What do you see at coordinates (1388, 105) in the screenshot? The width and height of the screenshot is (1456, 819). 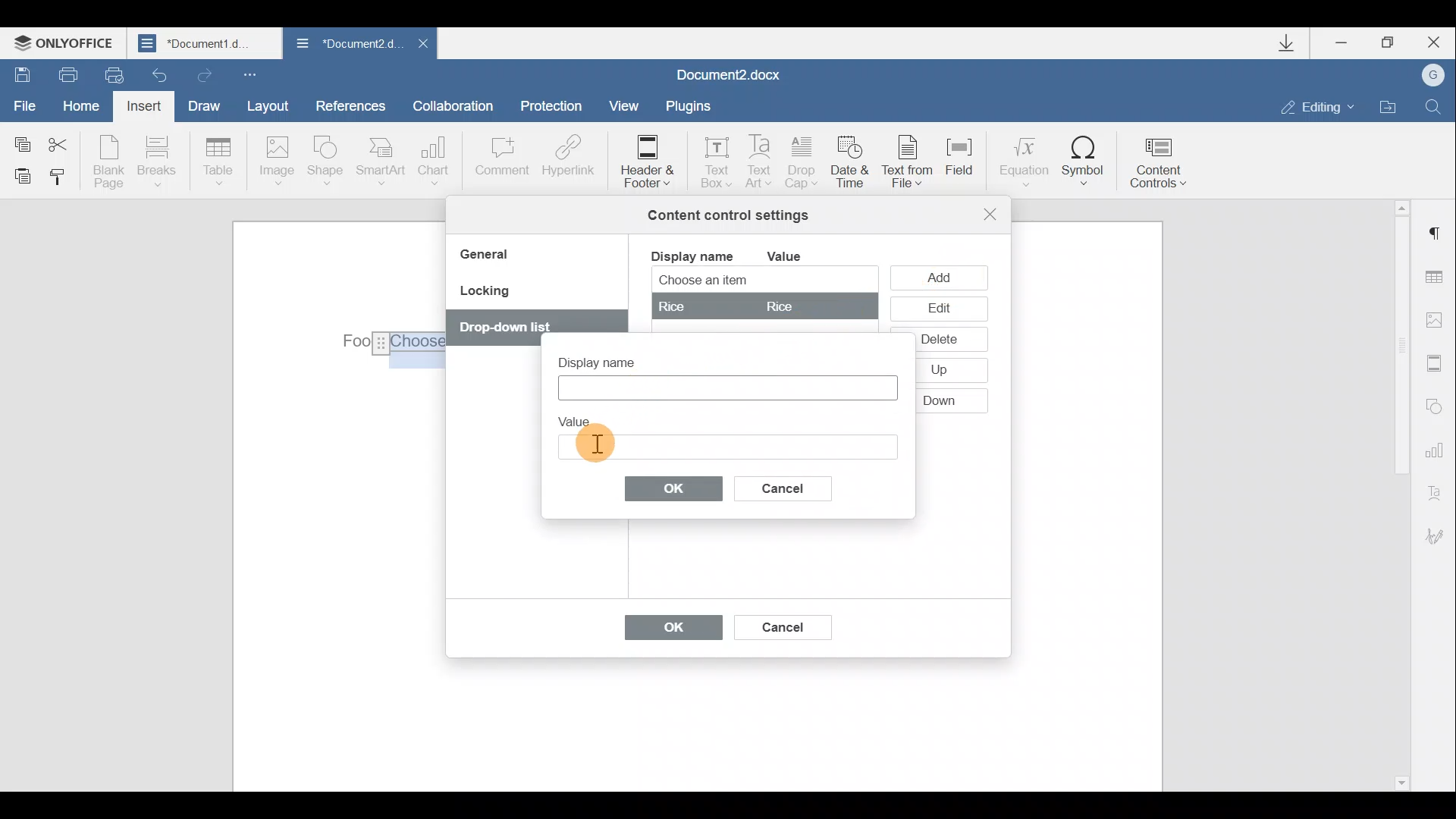 I see `Open file location` at bounding box center [1388, 105].